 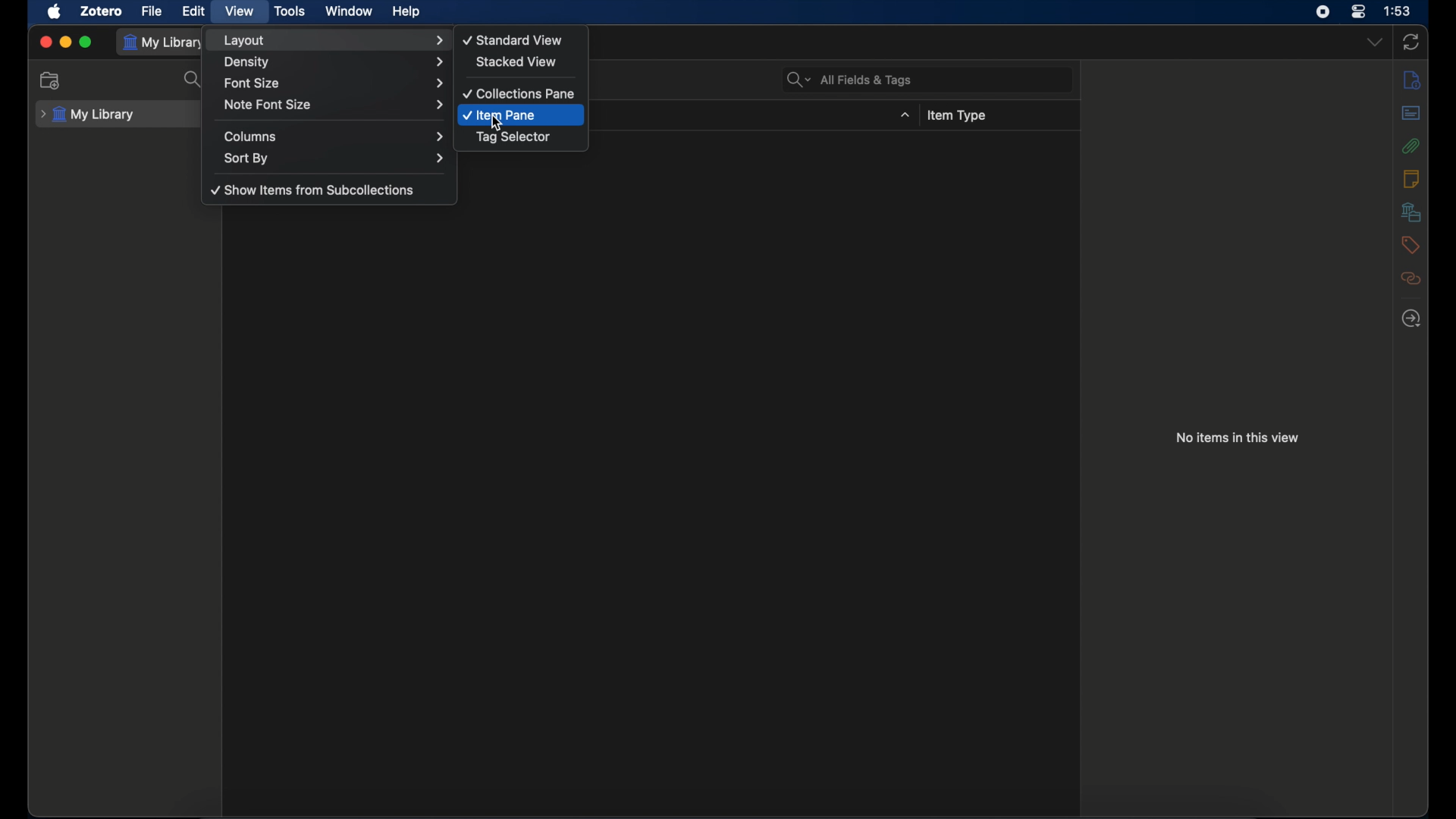 I want to click on window, so click(x=347, y=11).